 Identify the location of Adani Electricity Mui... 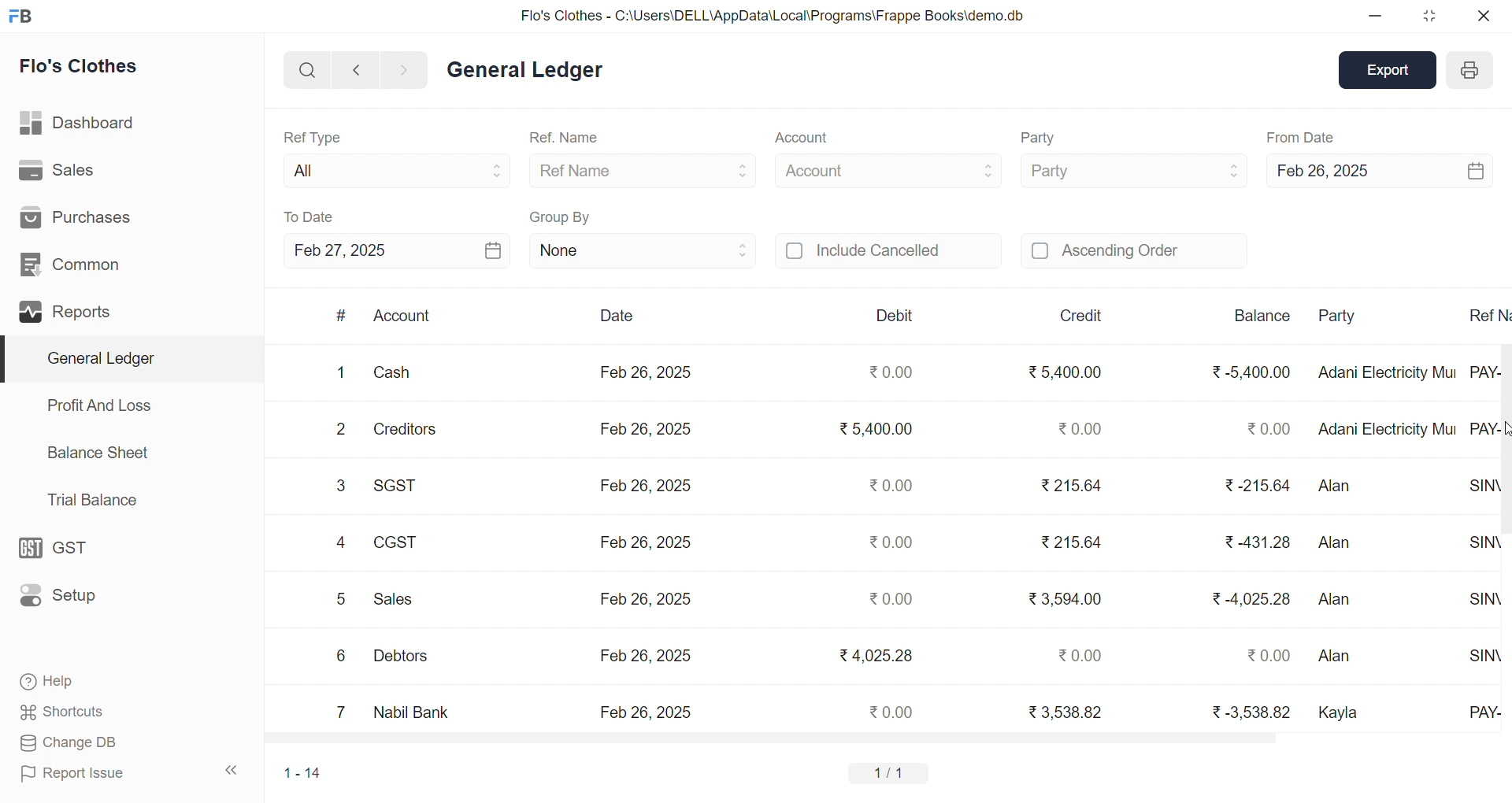
(1386, 372).